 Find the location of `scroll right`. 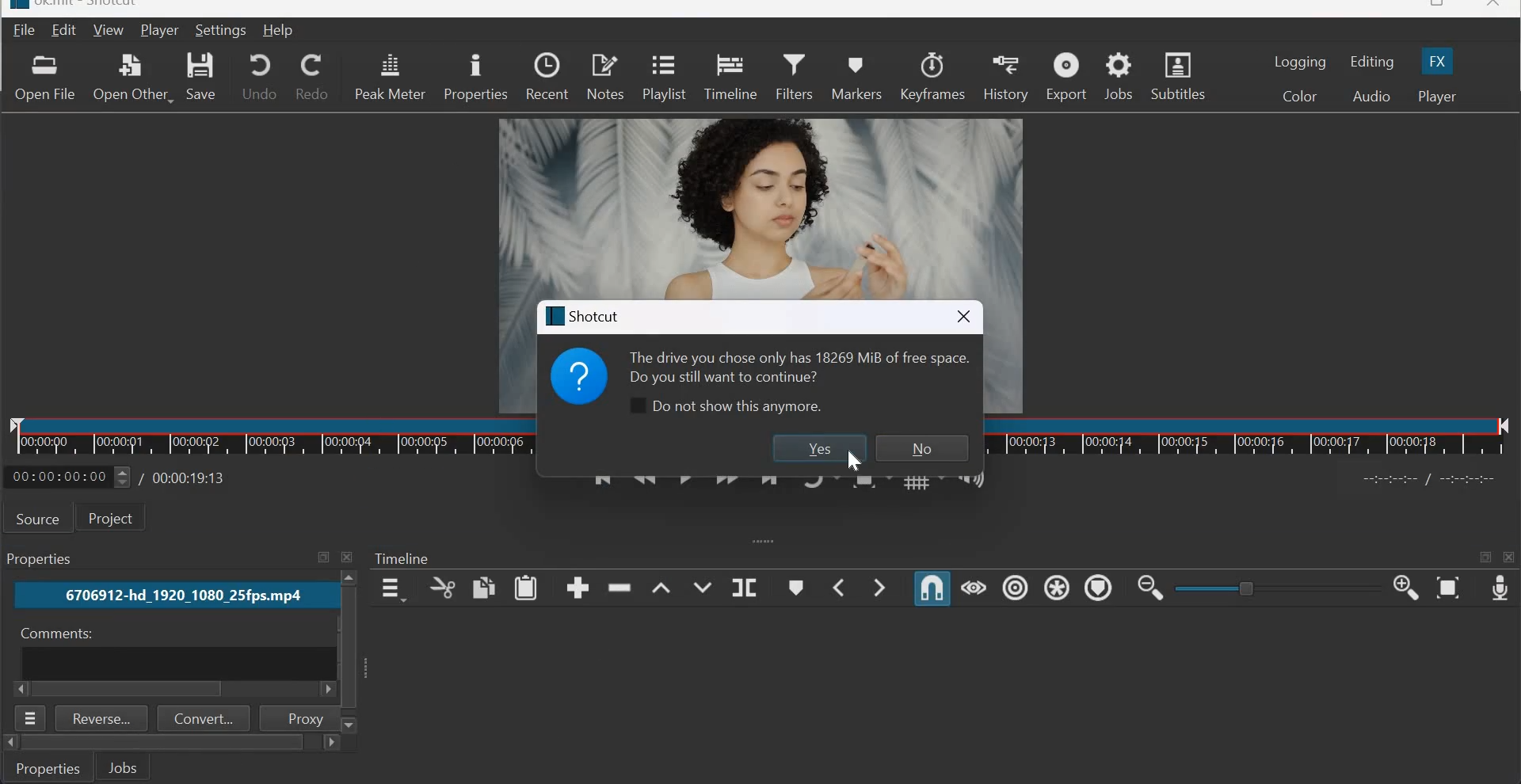

scroll right is located at coordinates (22, 689).